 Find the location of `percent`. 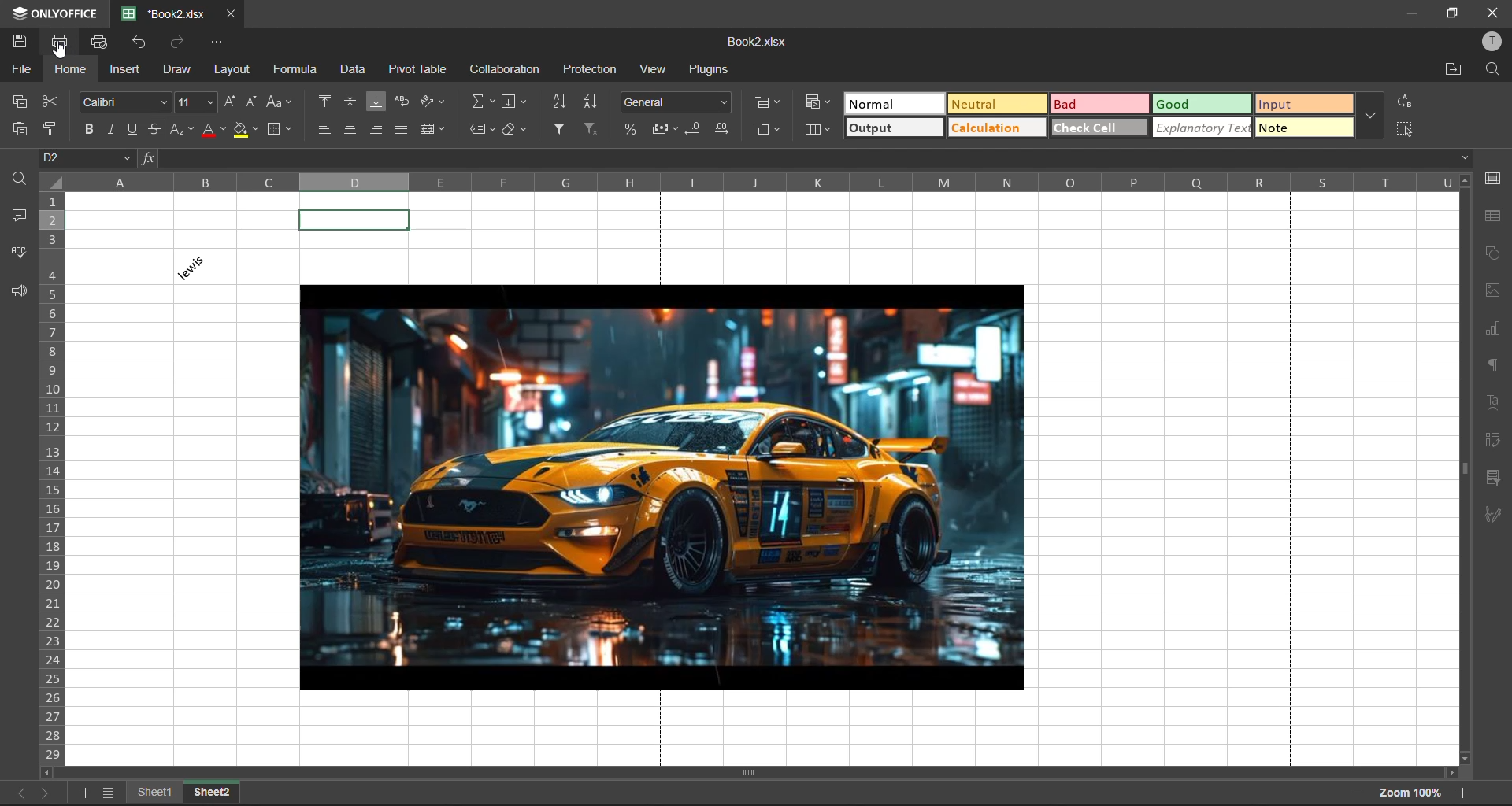

percent is located at coordinates (632, 131).